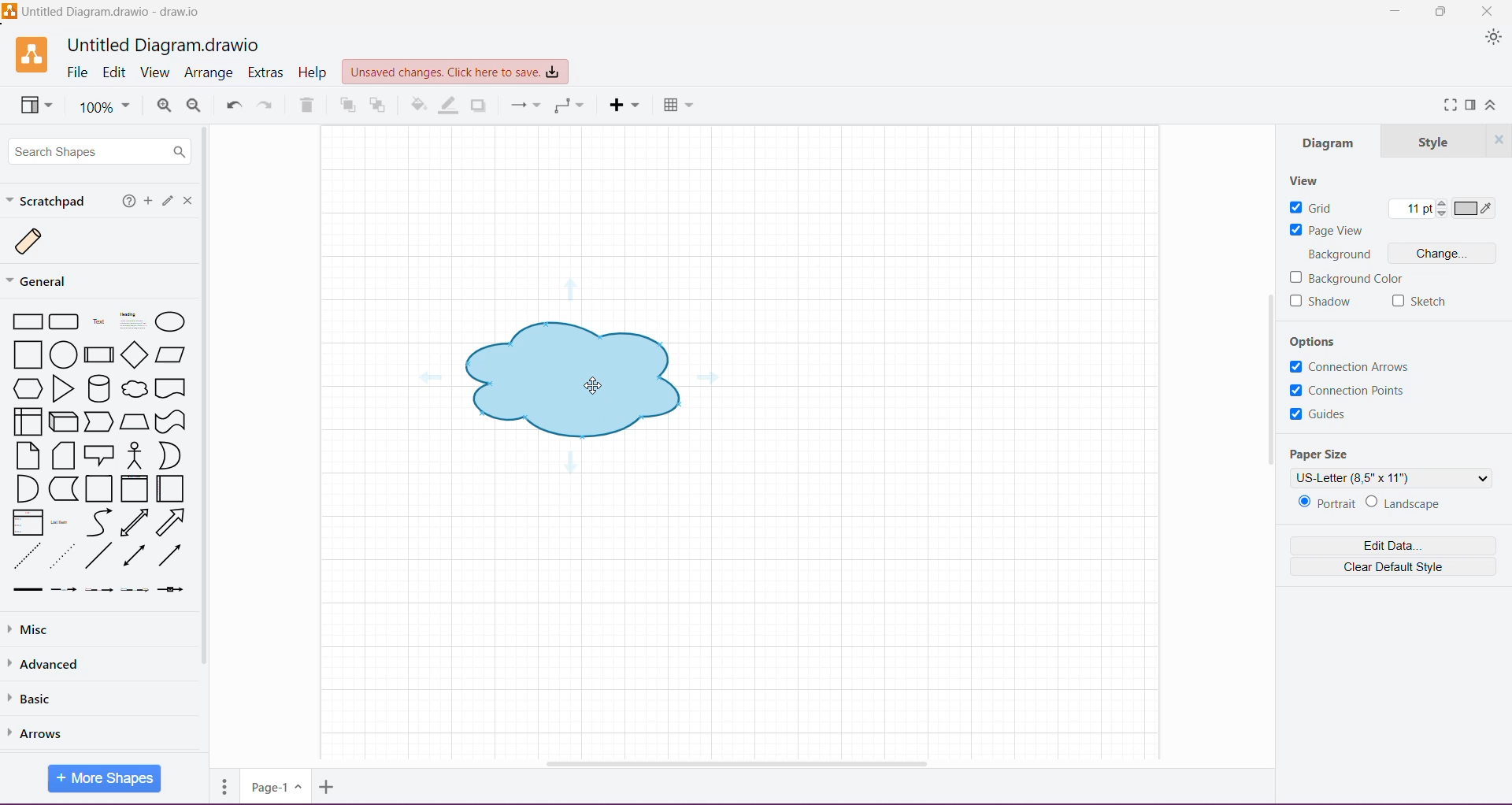 The image size is (1512, 805). Describe the element at coordinates (1443, 12) in the screenshot. I see `Restore Down` at that location.